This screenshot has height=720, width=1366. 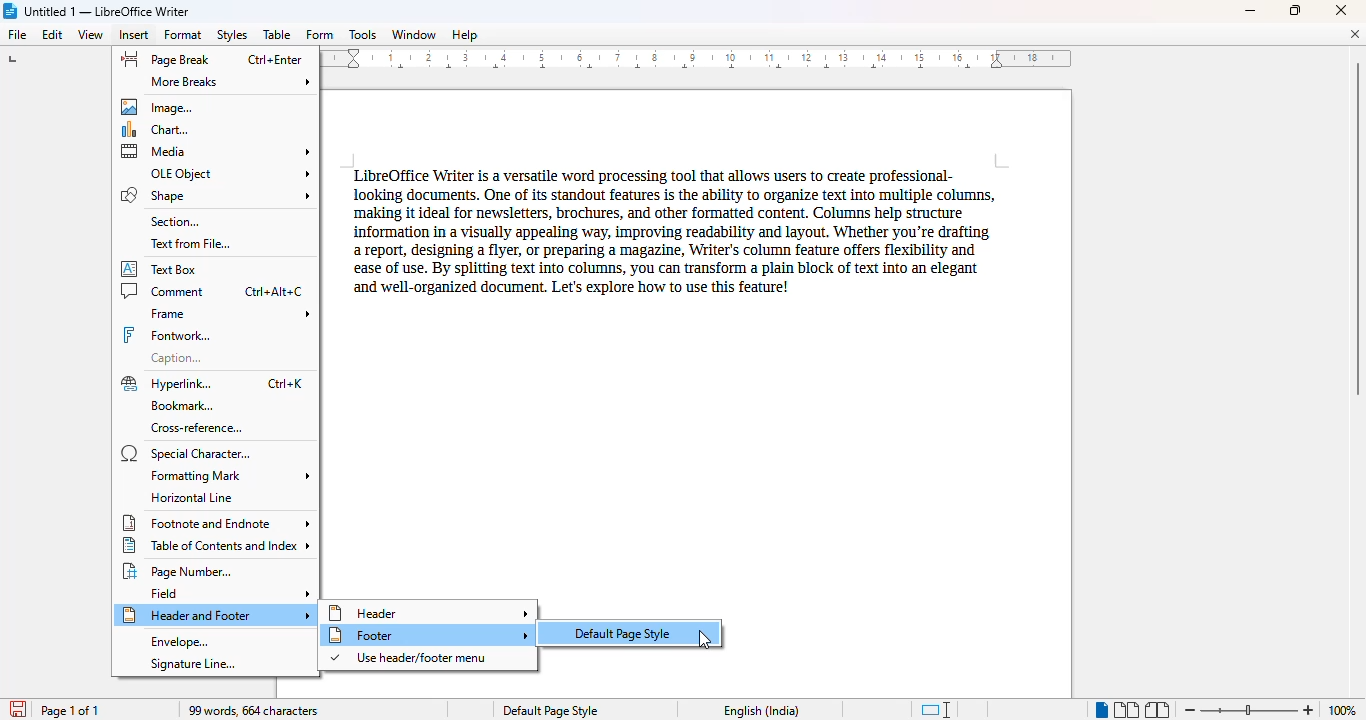 I want to click on 100% (zoom level), so click(x=1343, y=710).